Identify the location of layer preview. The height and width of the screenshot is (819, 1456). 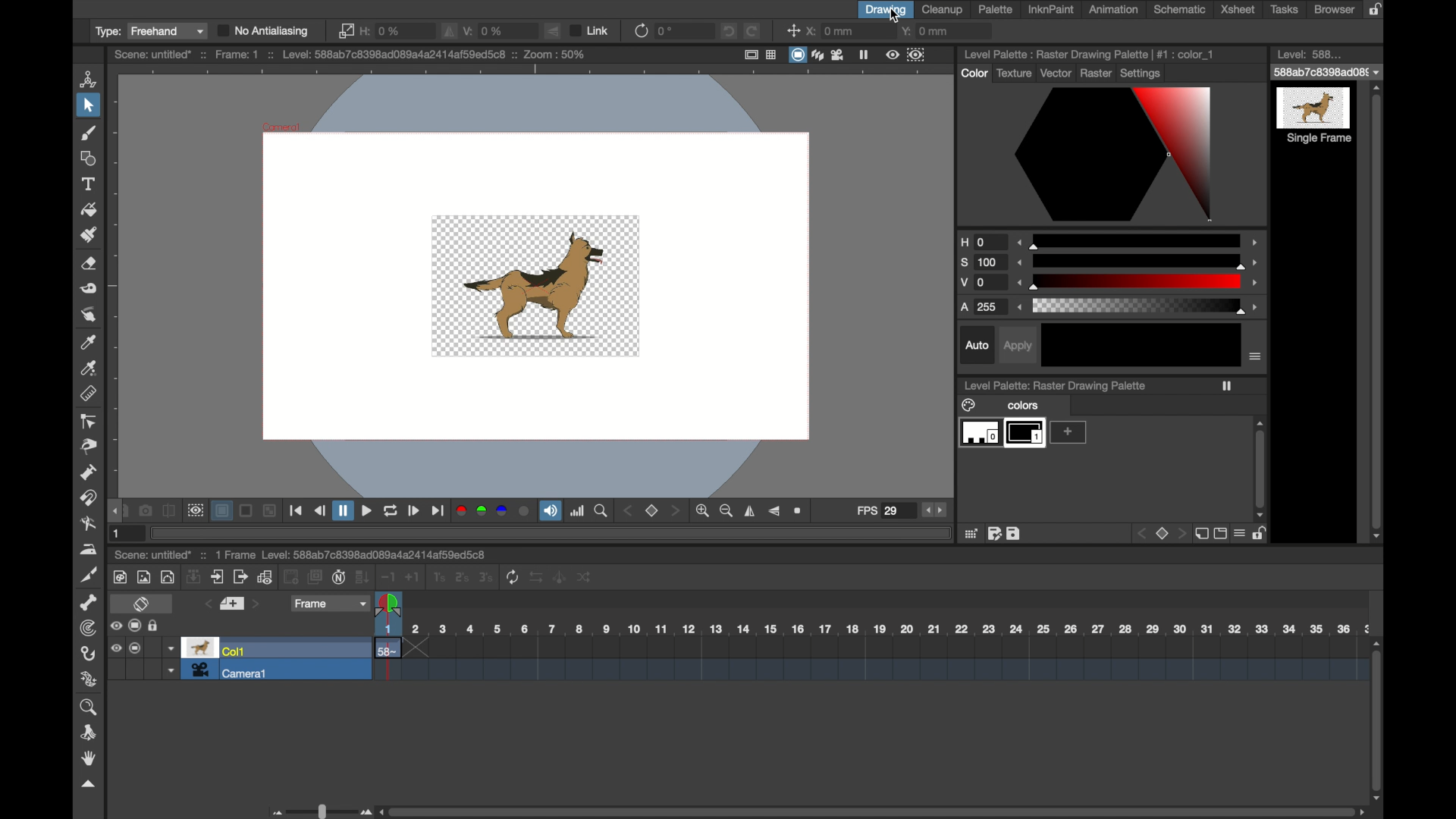
(1028, 431).